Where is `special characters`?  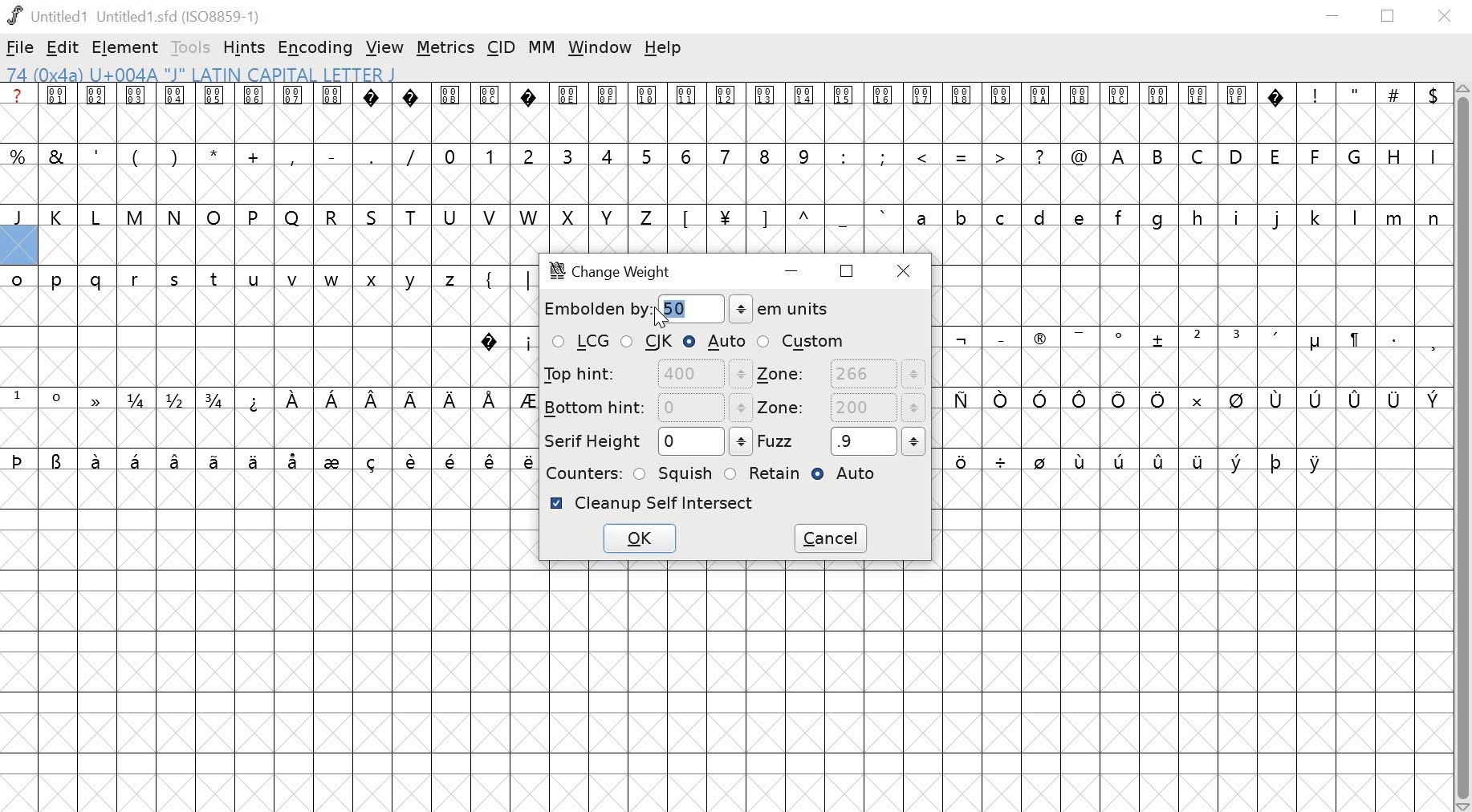
special characters is located at coordinates (215, 154).